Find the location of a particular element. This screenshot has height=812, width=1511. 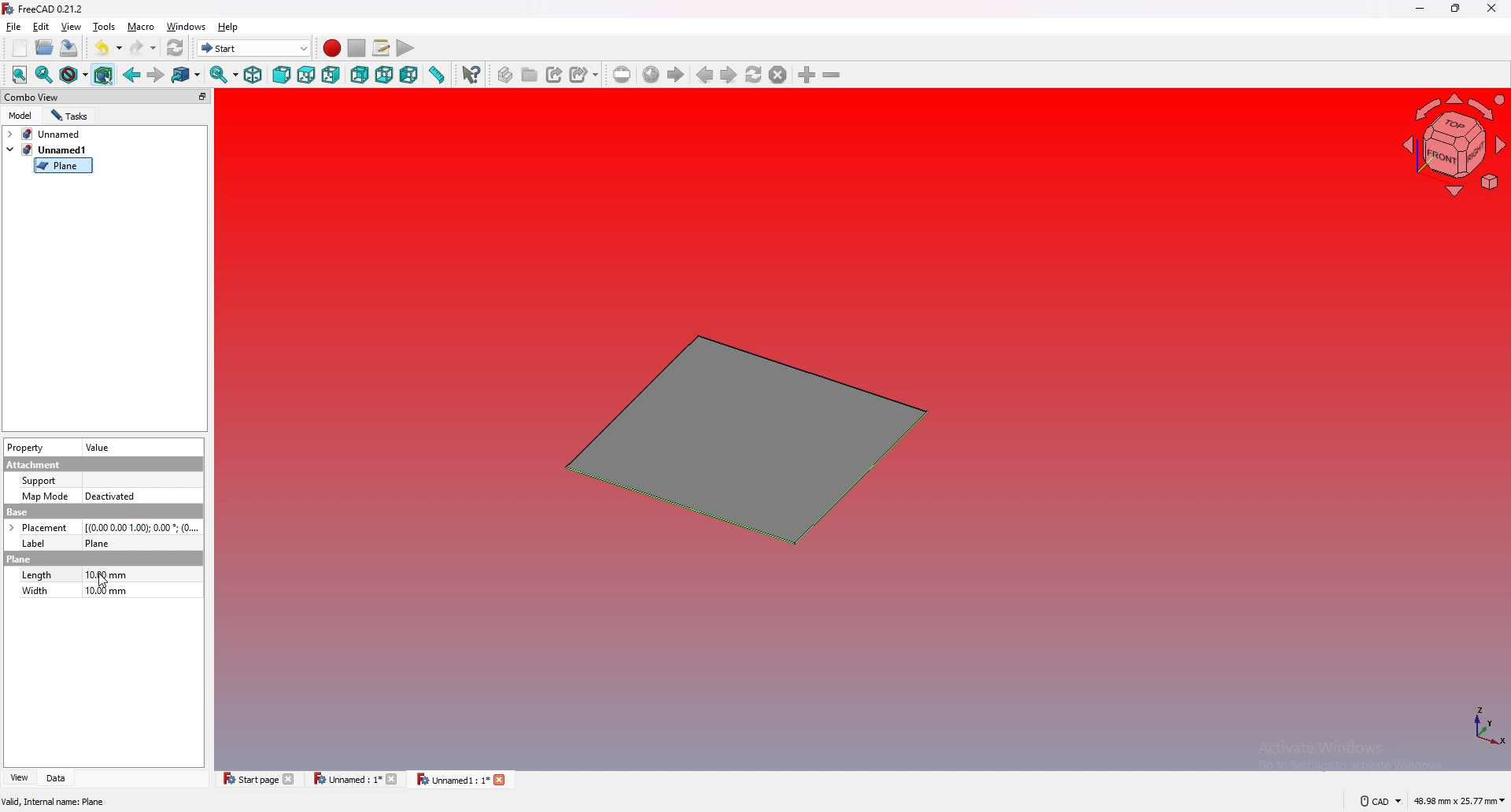

whats this is located at coordinates (471, 75).